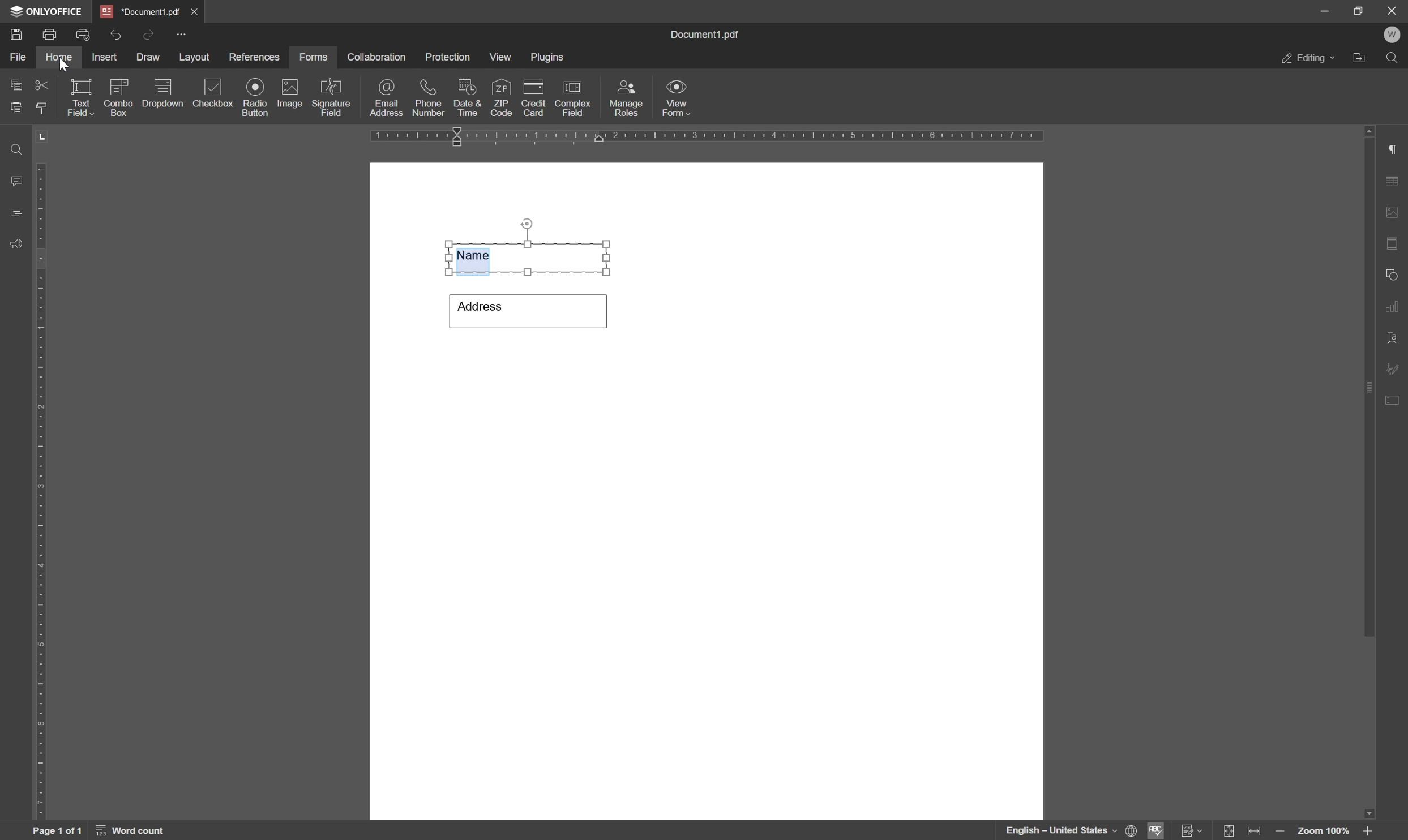  I want to click on *document1.pdf, so click(140, 11).